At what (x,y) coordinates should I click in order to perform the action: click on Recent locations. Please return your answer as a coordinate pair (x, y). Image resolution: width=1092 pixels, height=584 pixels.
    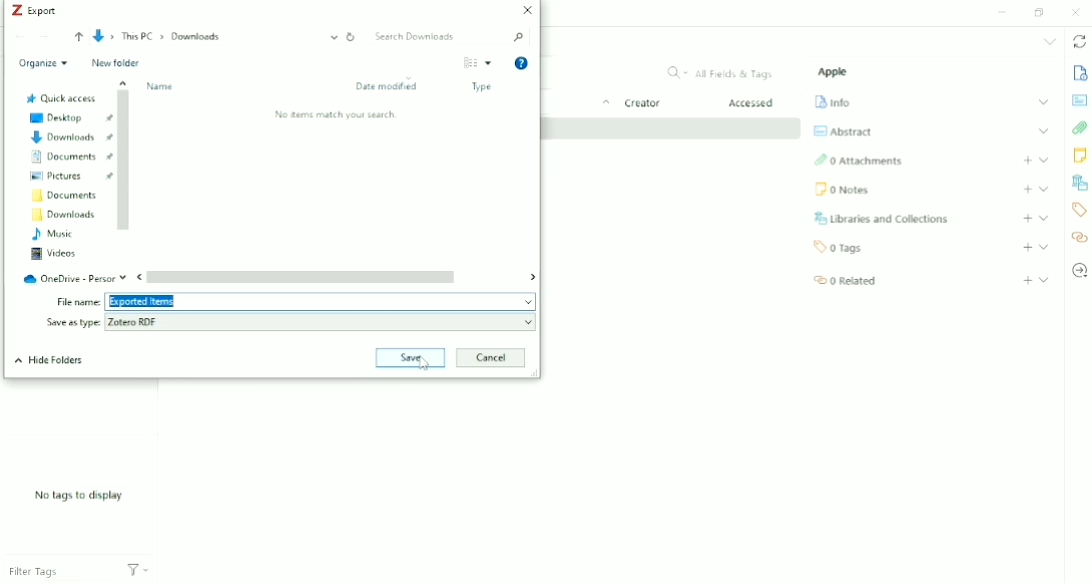
    Looking at the image, I should click on (61, 37).